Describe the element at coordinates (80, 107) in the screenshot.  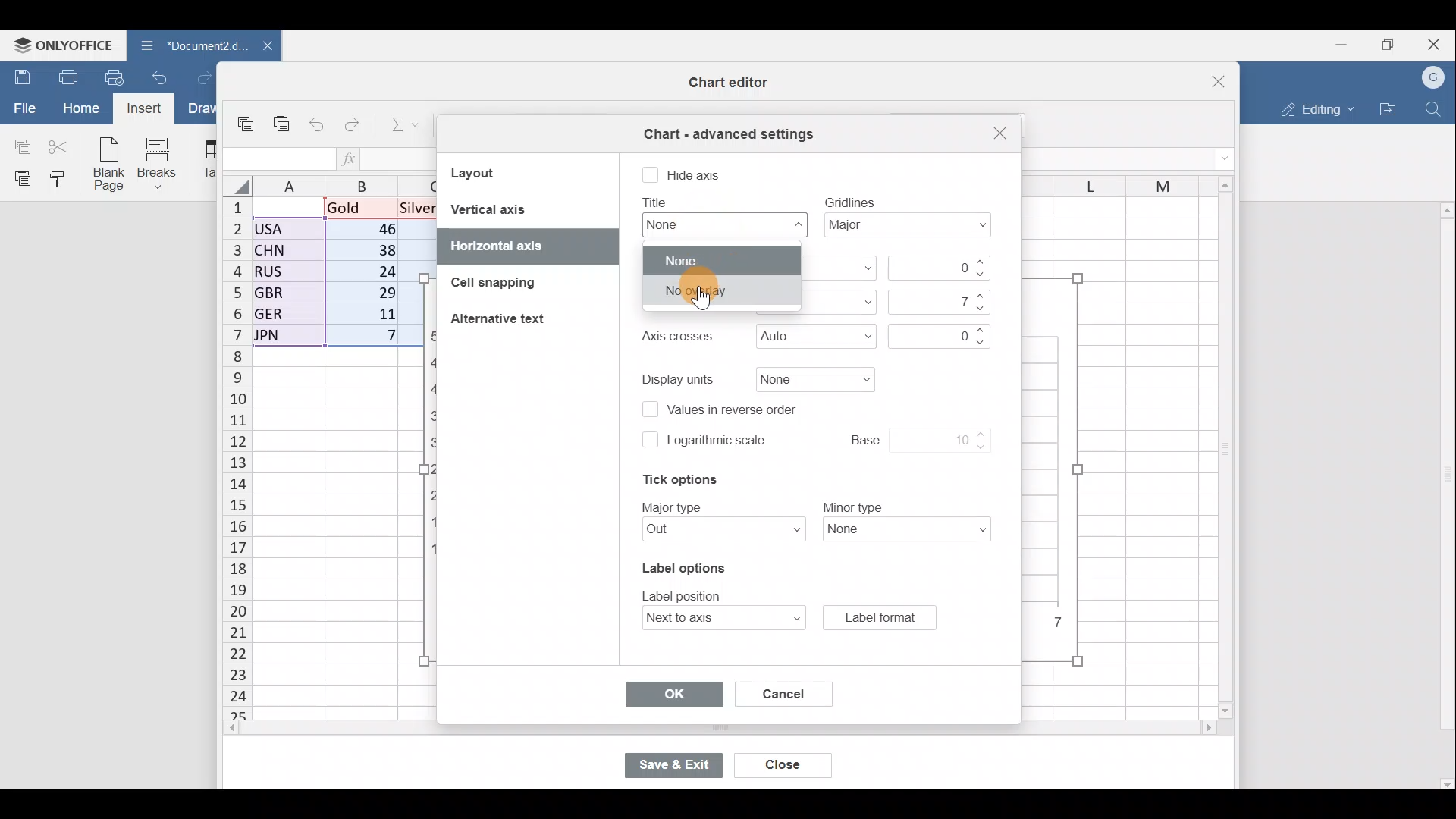
I see `Home` at that location.